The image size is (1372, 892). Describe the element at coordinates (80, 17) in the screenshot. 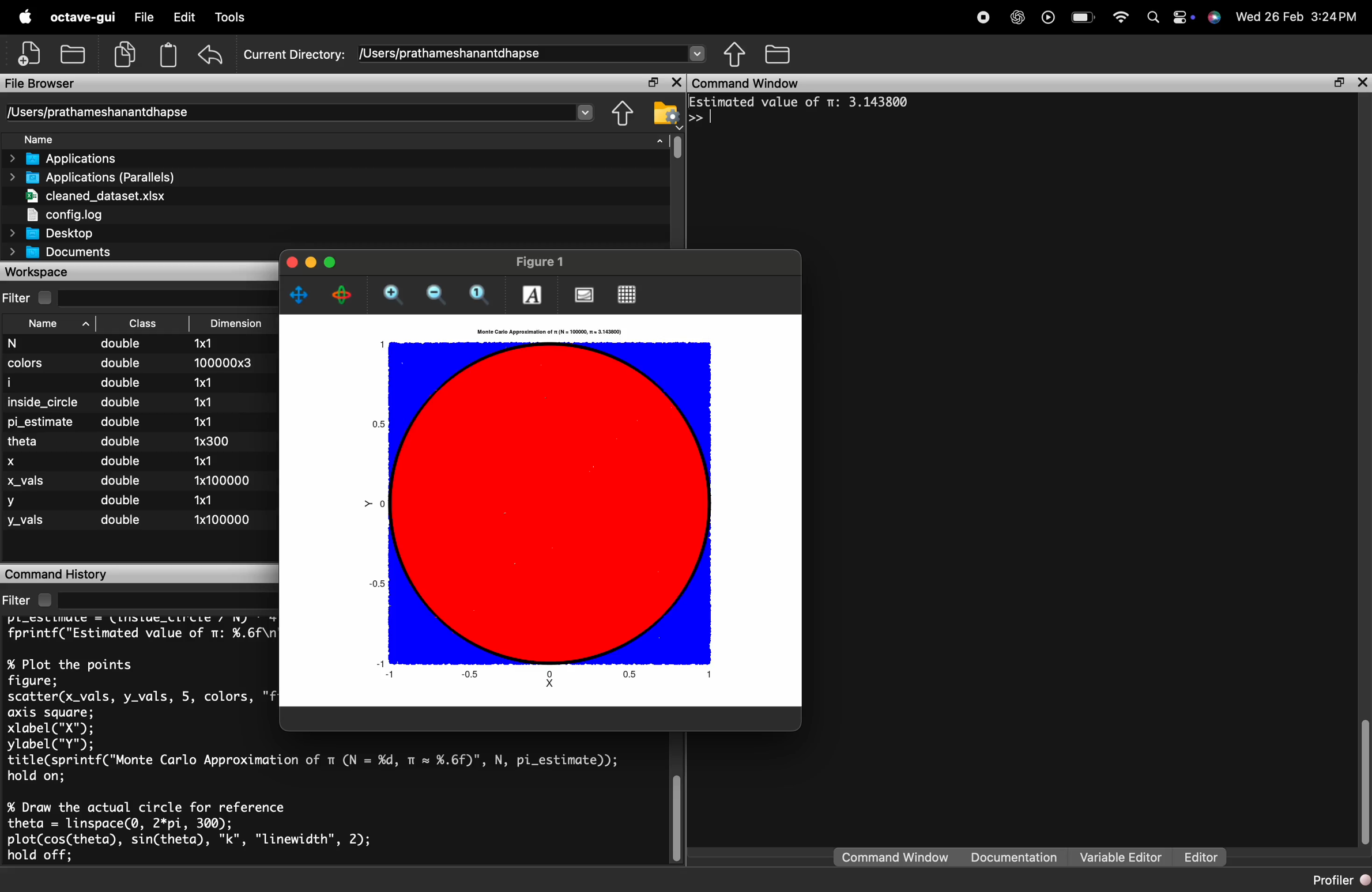

I see `octave-gui` at that location.